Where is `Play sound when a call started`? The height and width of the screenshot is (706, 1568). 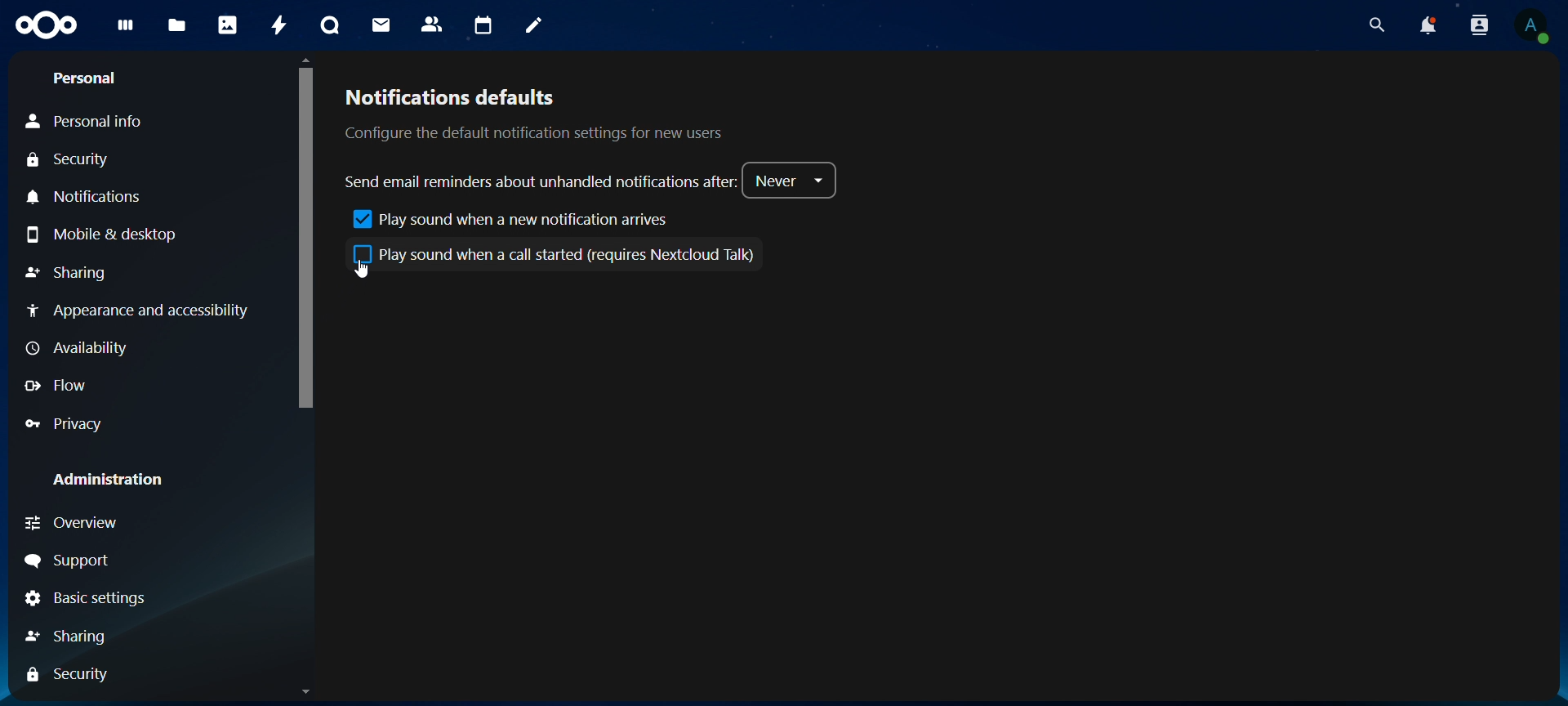 Play sound when a call started is located at coordinates (555, 253).